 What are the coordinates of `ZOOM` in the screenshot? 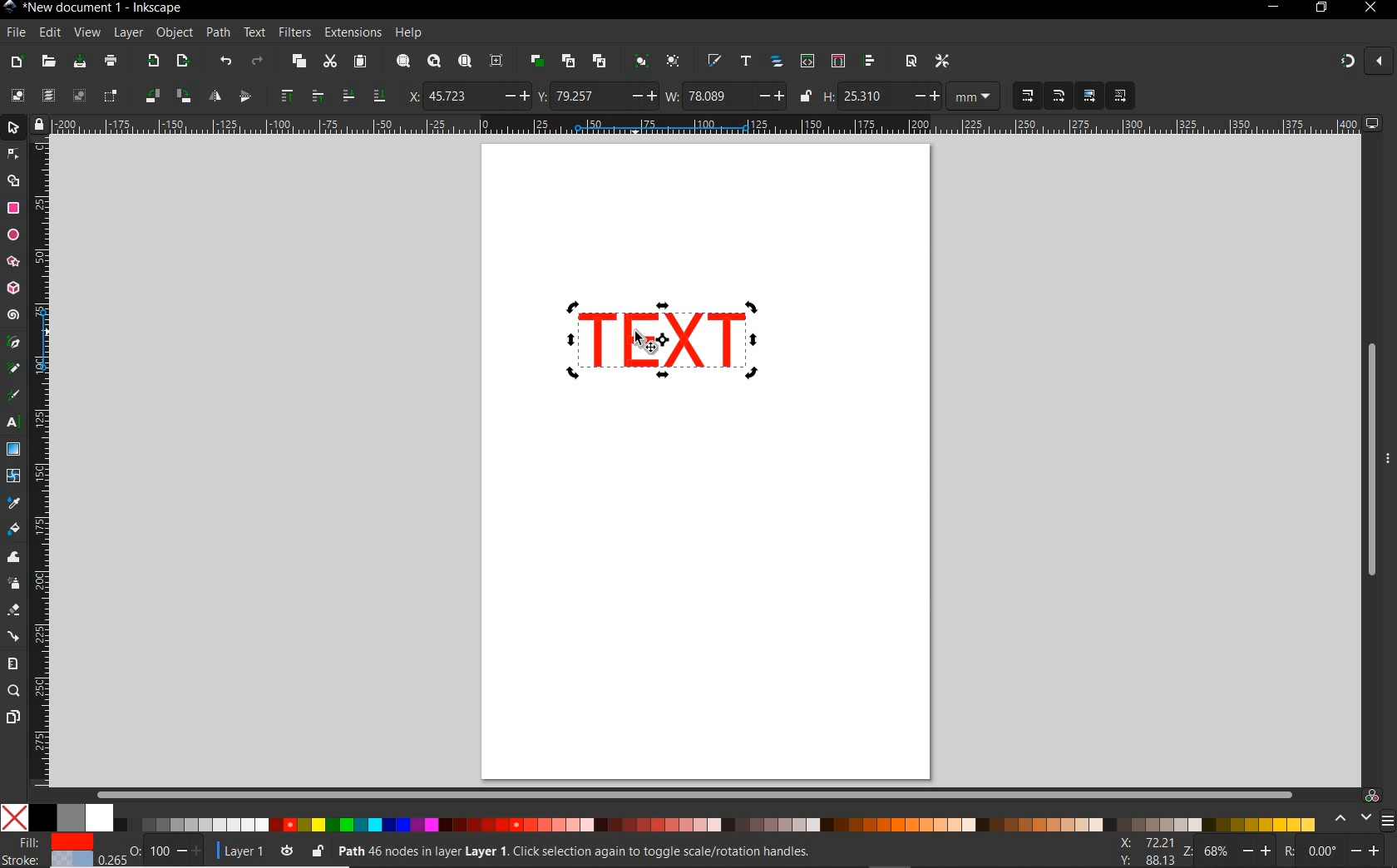 It's located at (1228, 850).